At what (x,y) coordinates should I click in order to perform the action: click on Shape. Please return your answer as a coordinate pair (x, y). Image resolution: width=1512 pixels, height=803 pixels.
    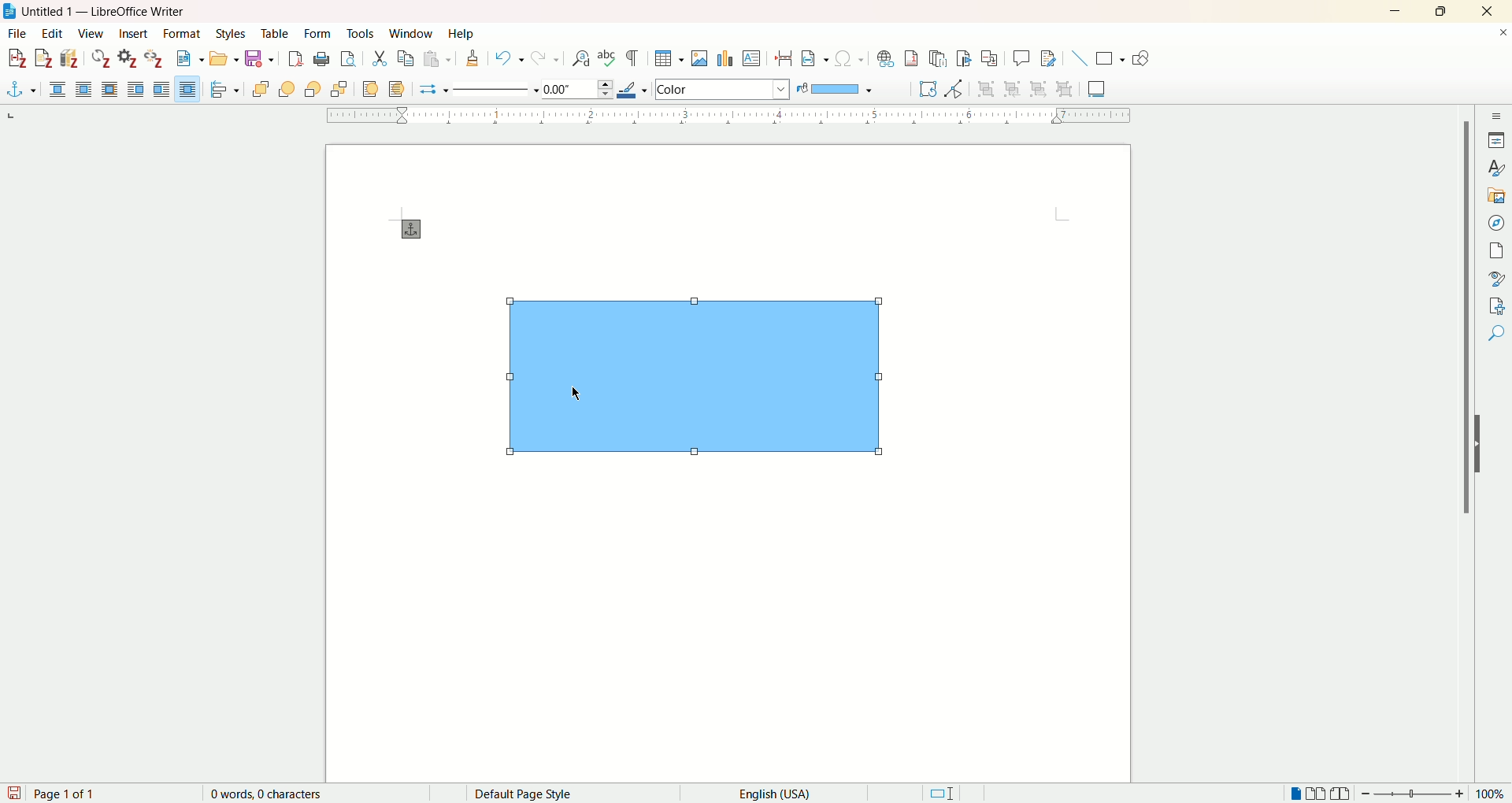
    Looking at the image, I should click on (699, 379).